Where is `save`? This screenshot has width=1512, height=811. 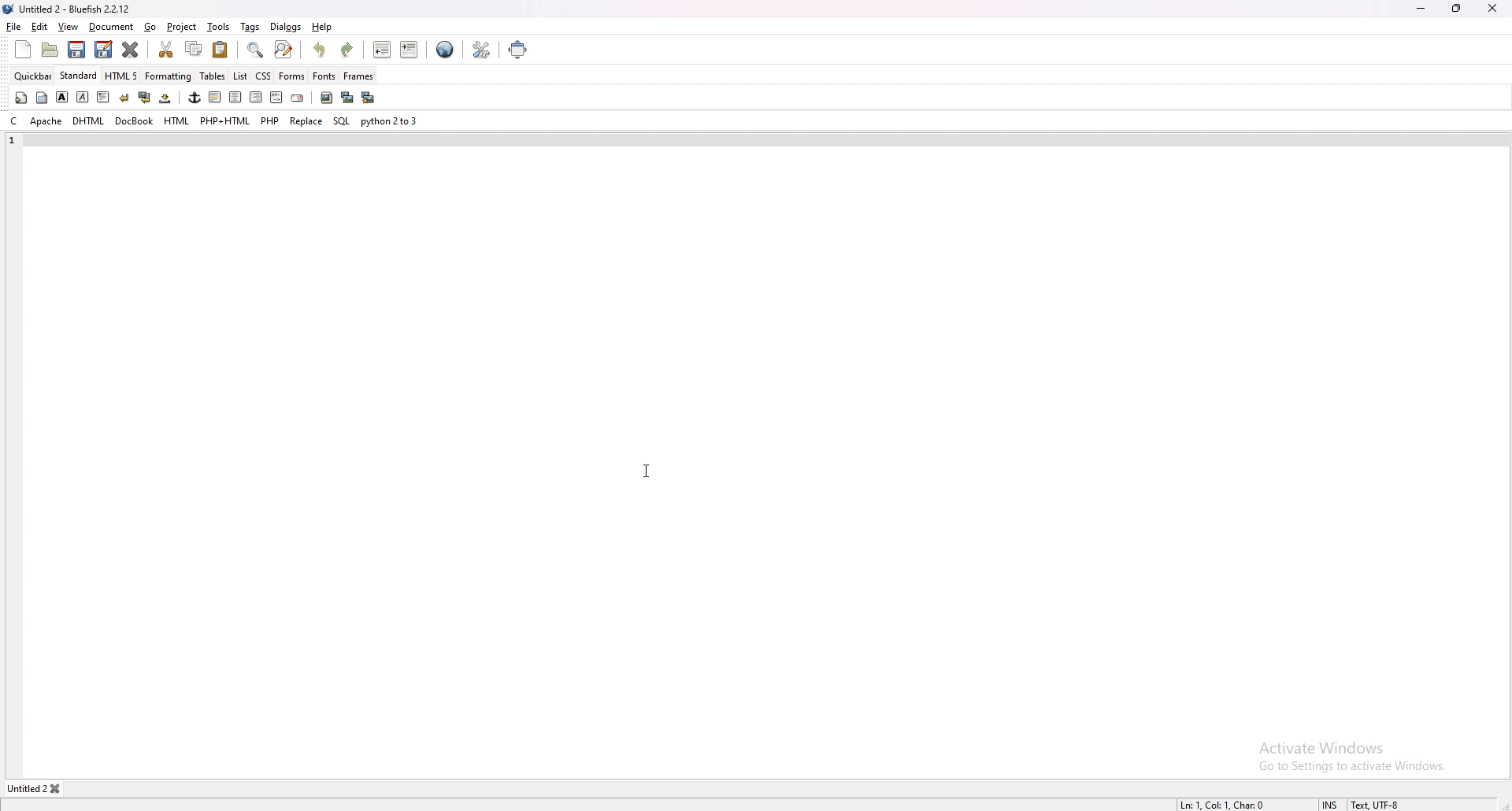 save is located at coordinates (77, 50).